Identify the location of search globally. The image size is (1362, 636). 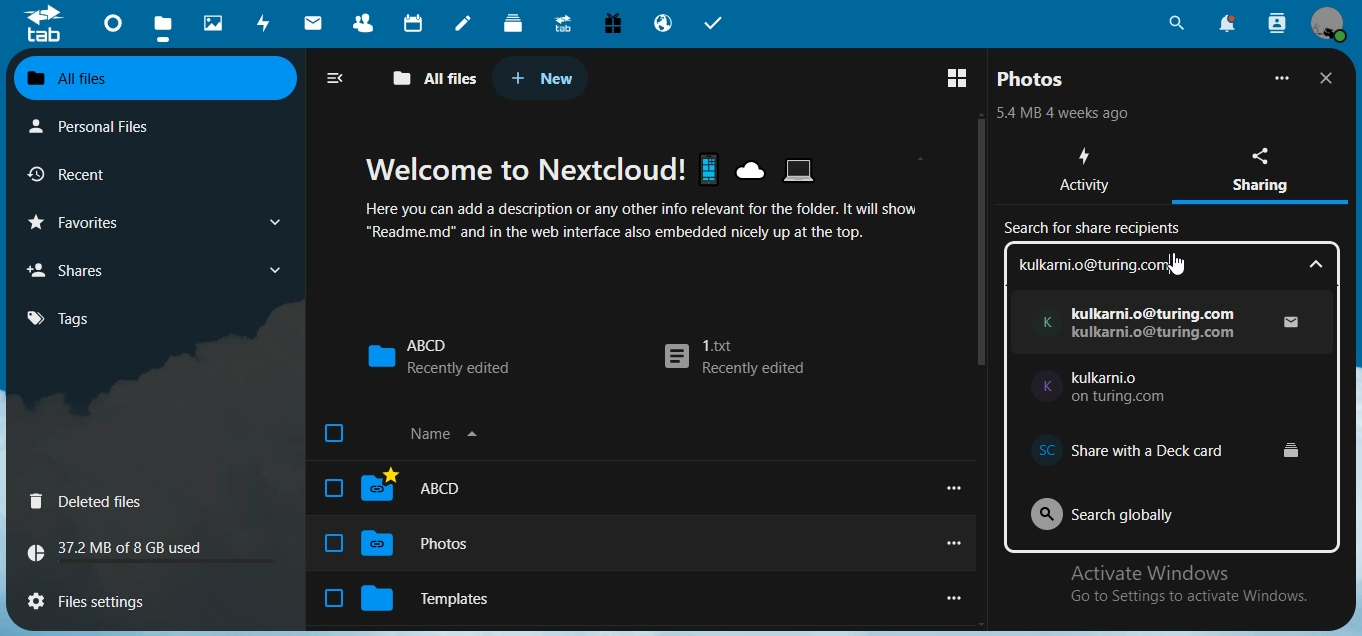
(1125, 512).